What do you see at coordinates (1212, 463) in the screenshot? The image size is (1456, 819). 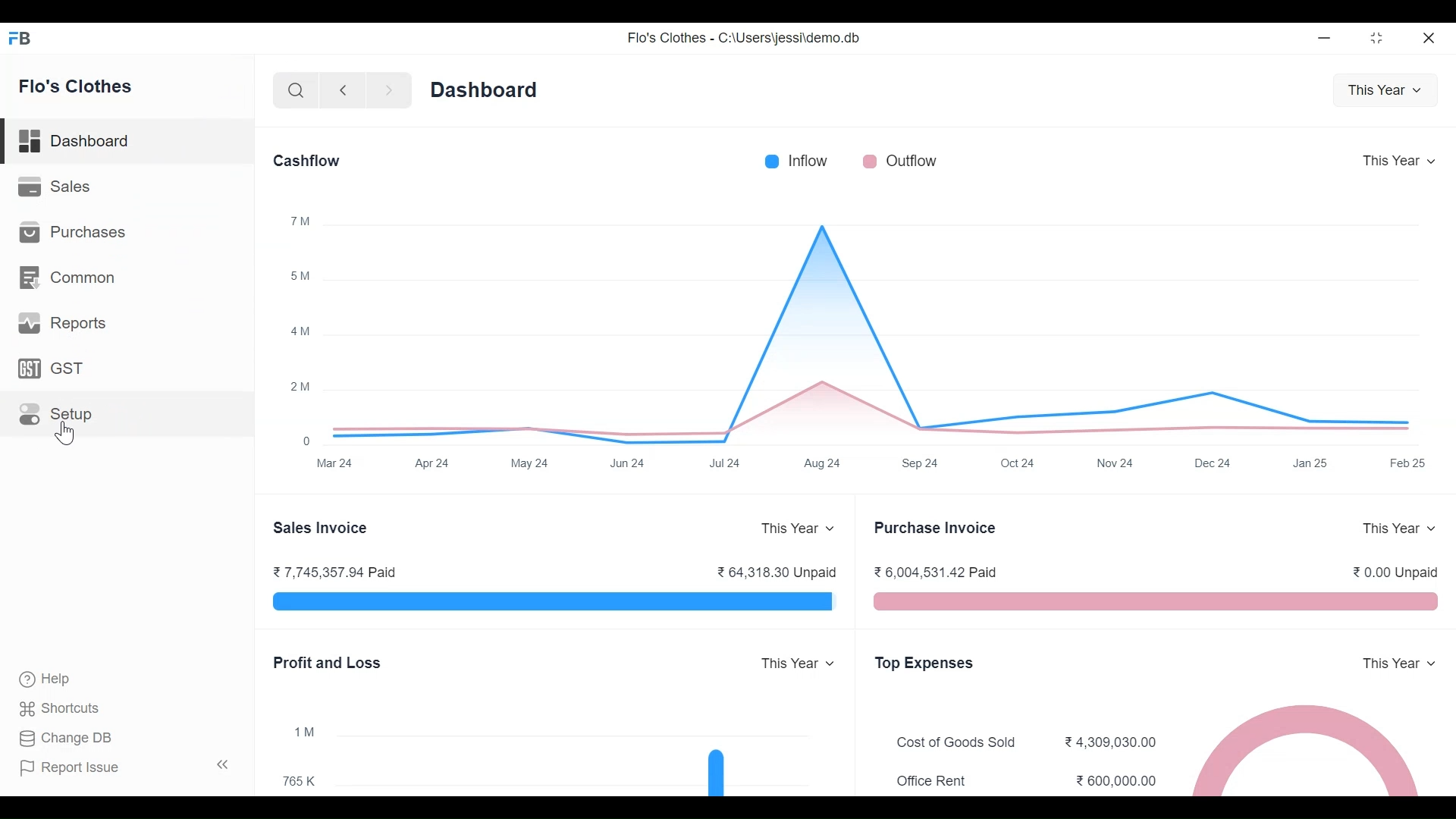 I see `Dec 24` at bounding box center [1212, 463].